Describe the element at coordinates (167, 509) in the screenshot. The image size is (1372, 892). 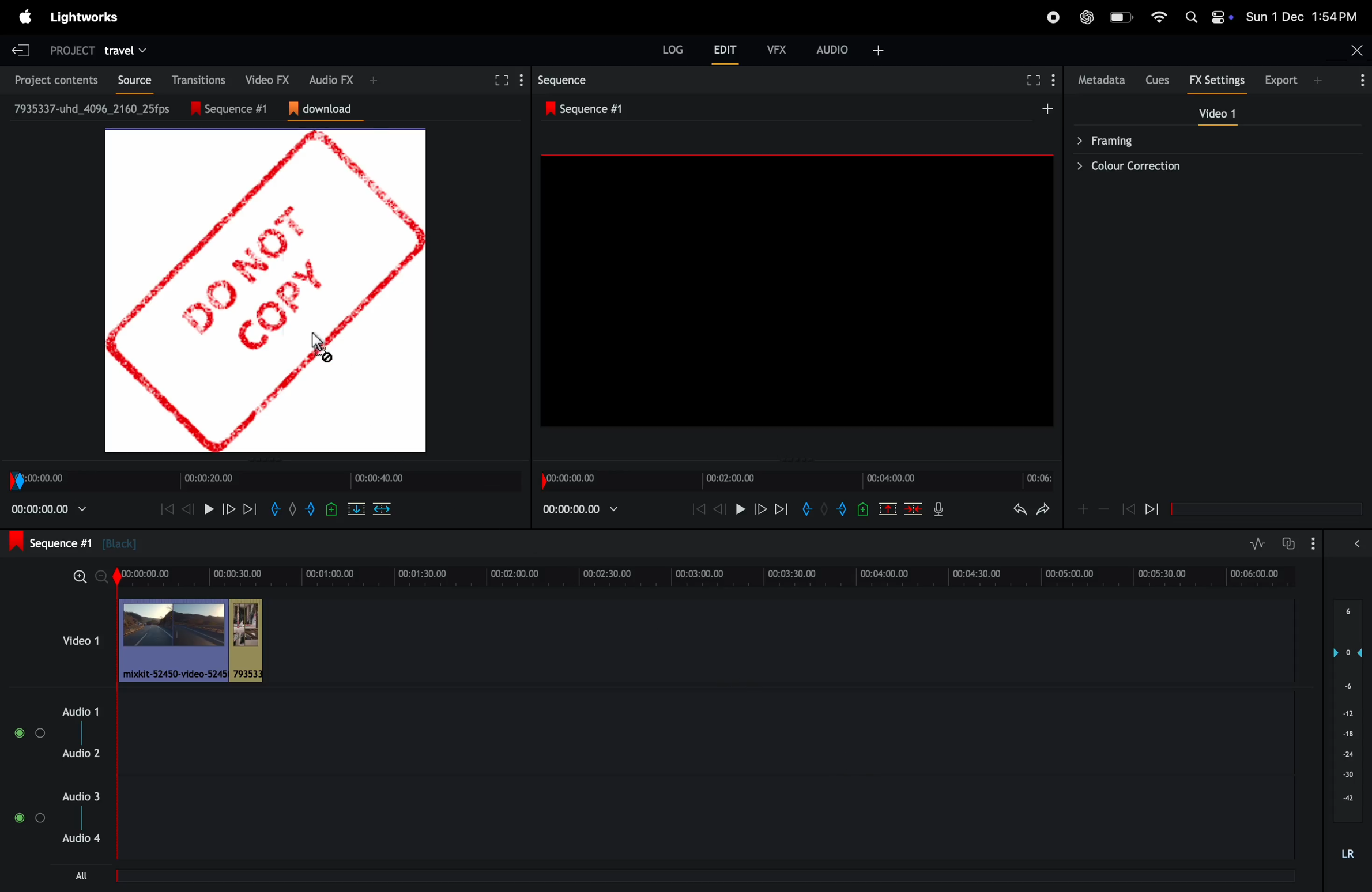
I see `Previous frame` at that location.